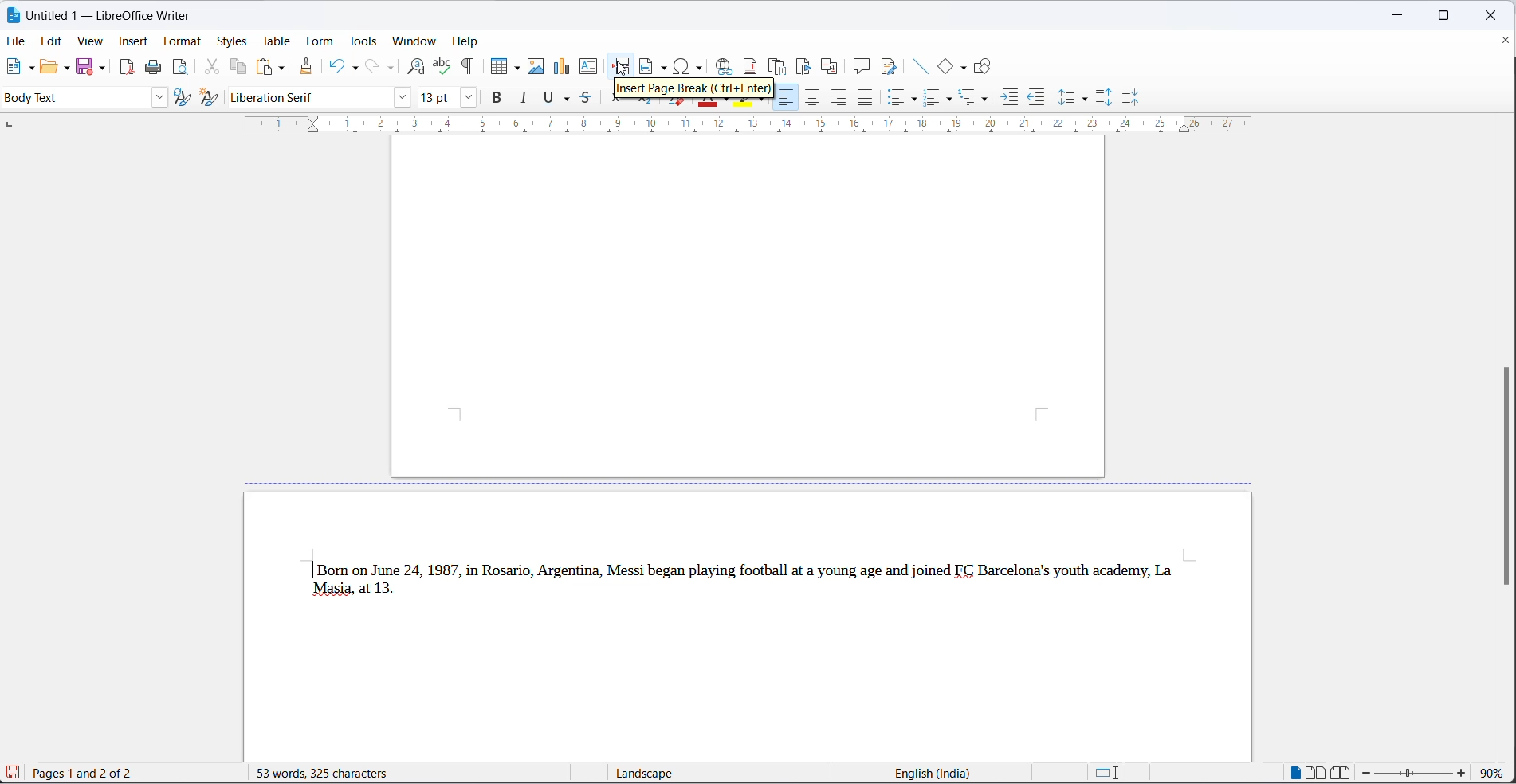 This screenshot has width=1516, height=784. I want to click on Show draw functions, so click(984, 65).